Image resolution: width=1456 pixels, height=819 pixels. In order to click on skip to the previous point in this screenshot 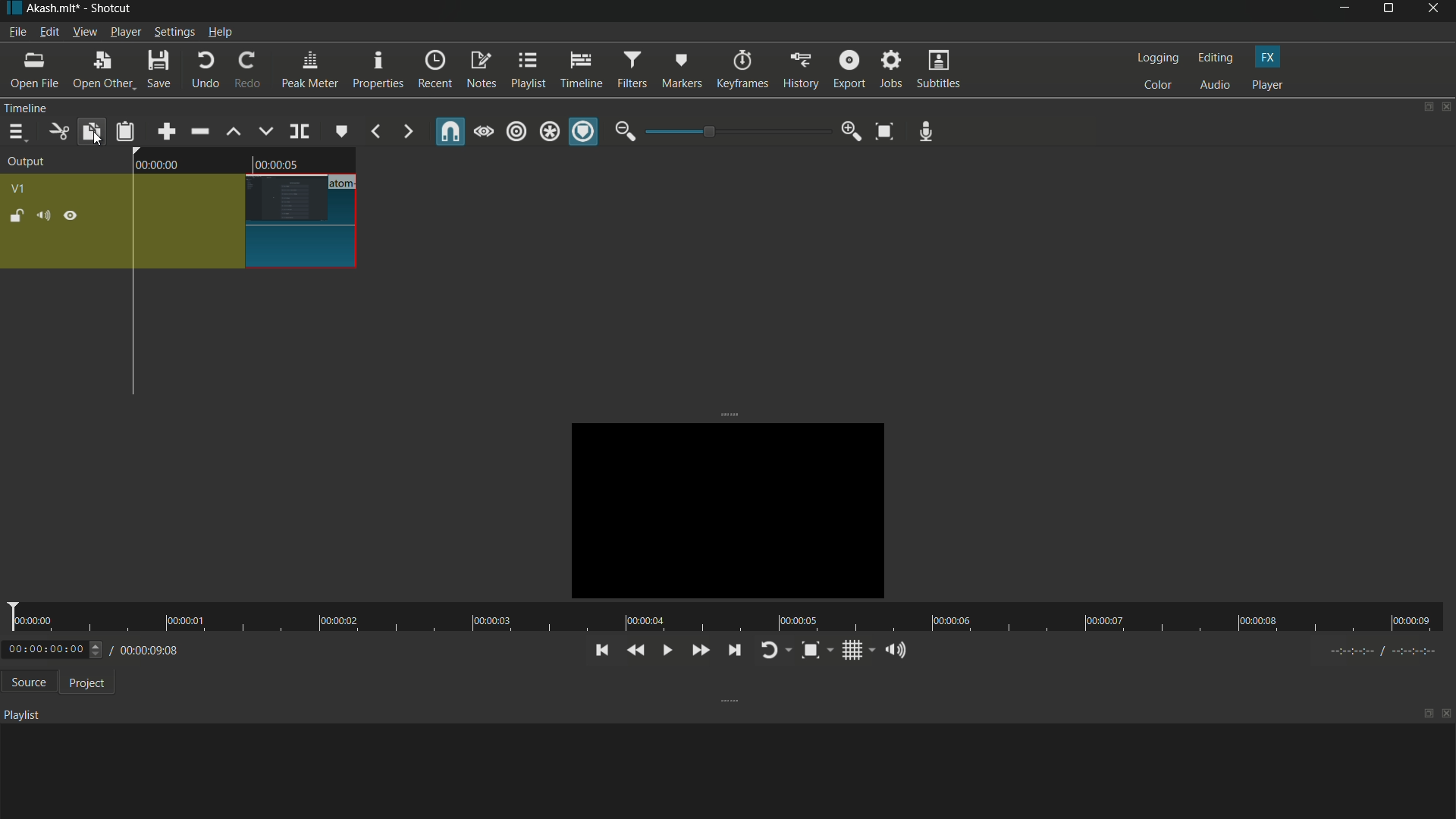, I will do `click(600, 651)`.